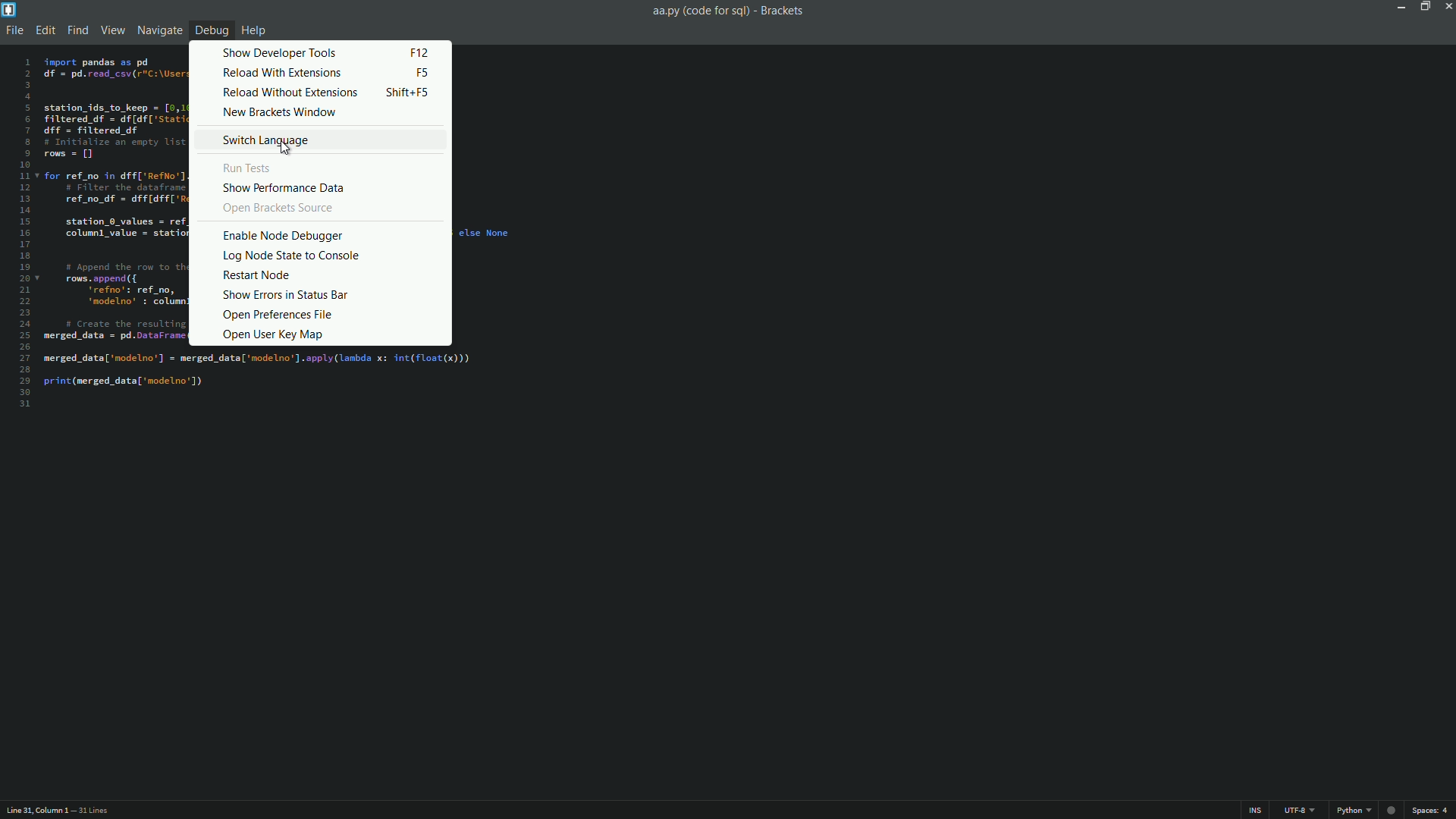 This screenshot has width=1456, height=819. I want to click on switch language, so click(265, 140).